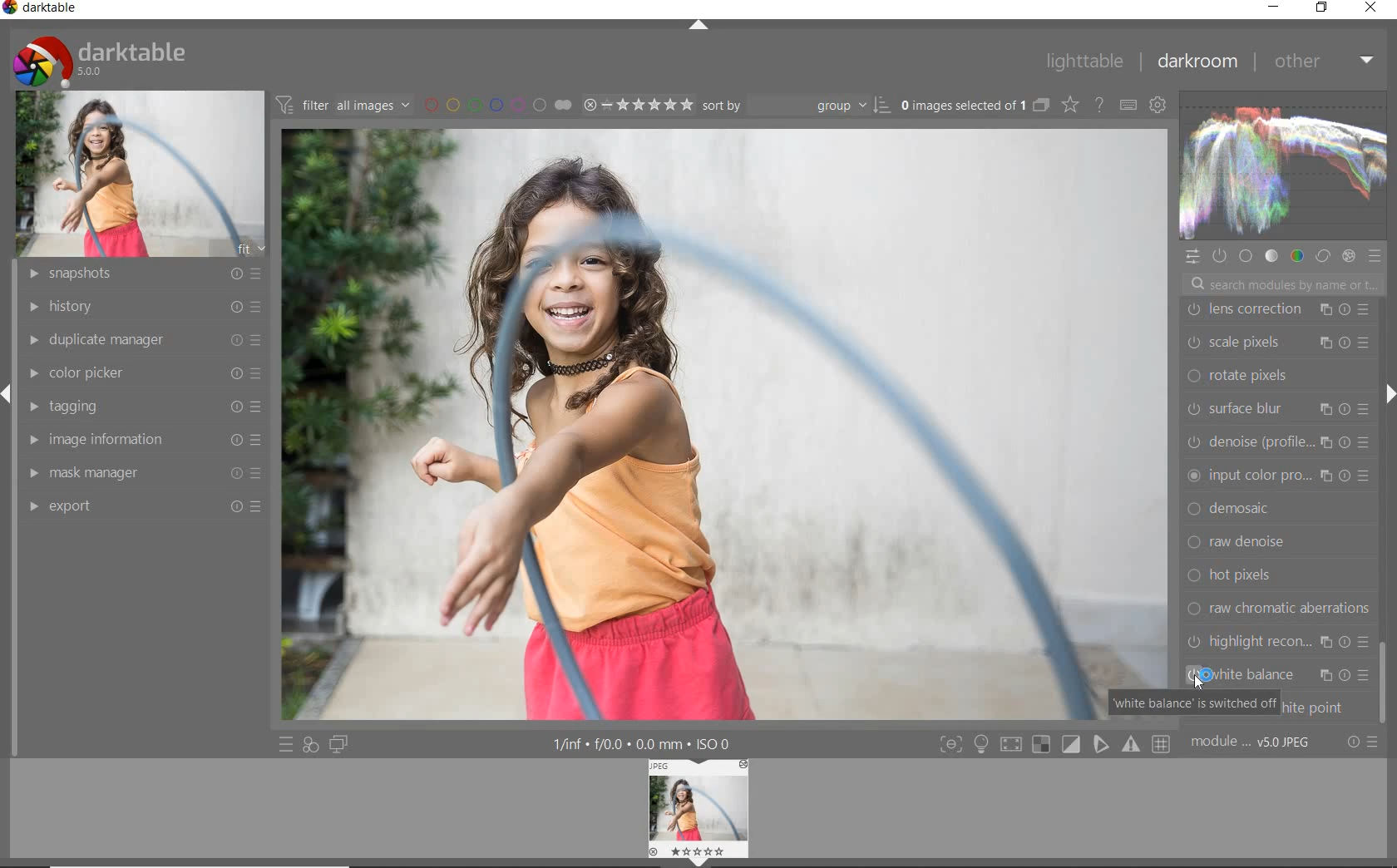 The width and height of the screenshot is (1397, 868). I want to click on collapse grouped images, so click(1040, 106).